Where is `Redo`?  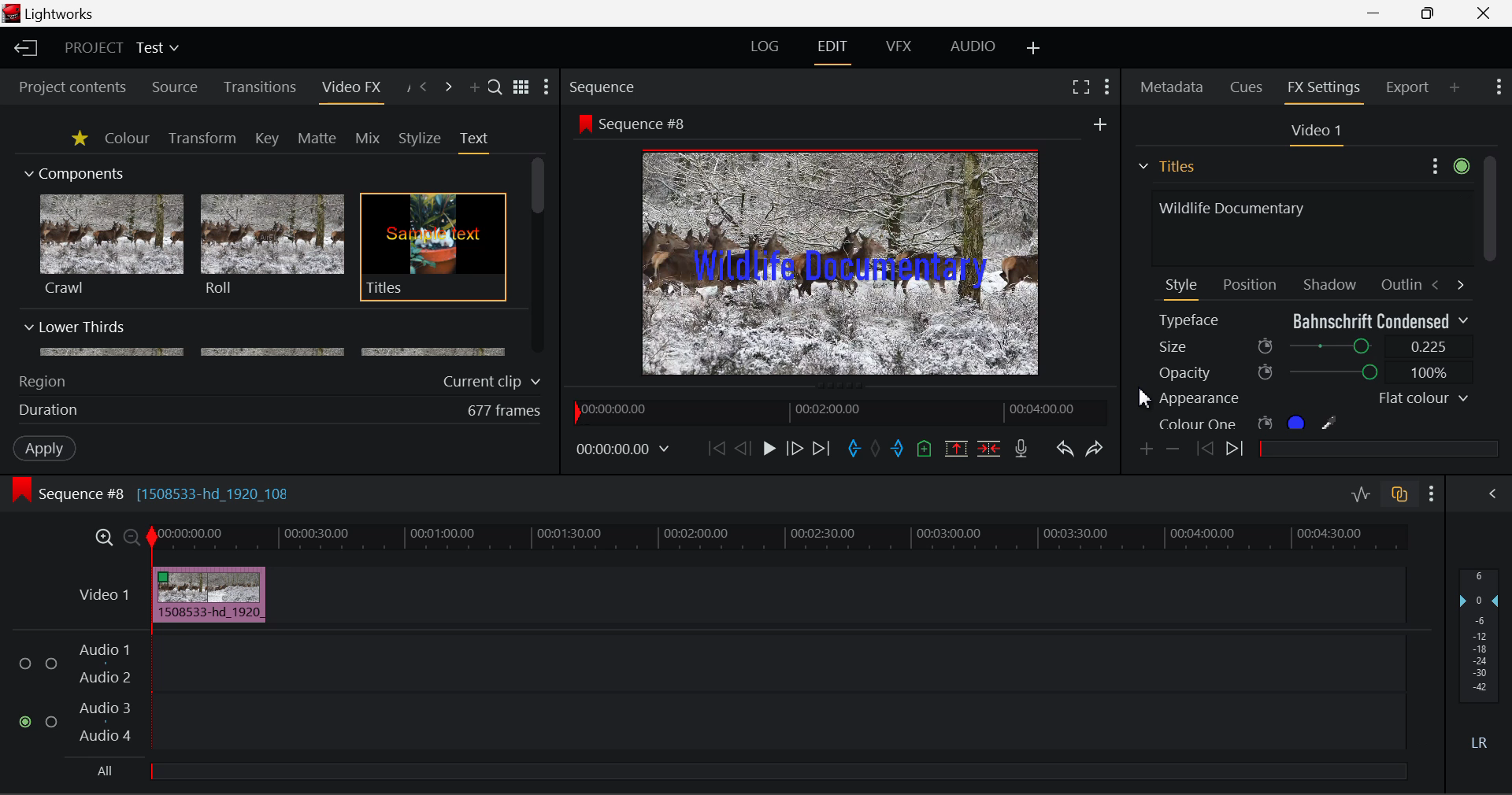
Redo is located at coordinates (1096, 449).